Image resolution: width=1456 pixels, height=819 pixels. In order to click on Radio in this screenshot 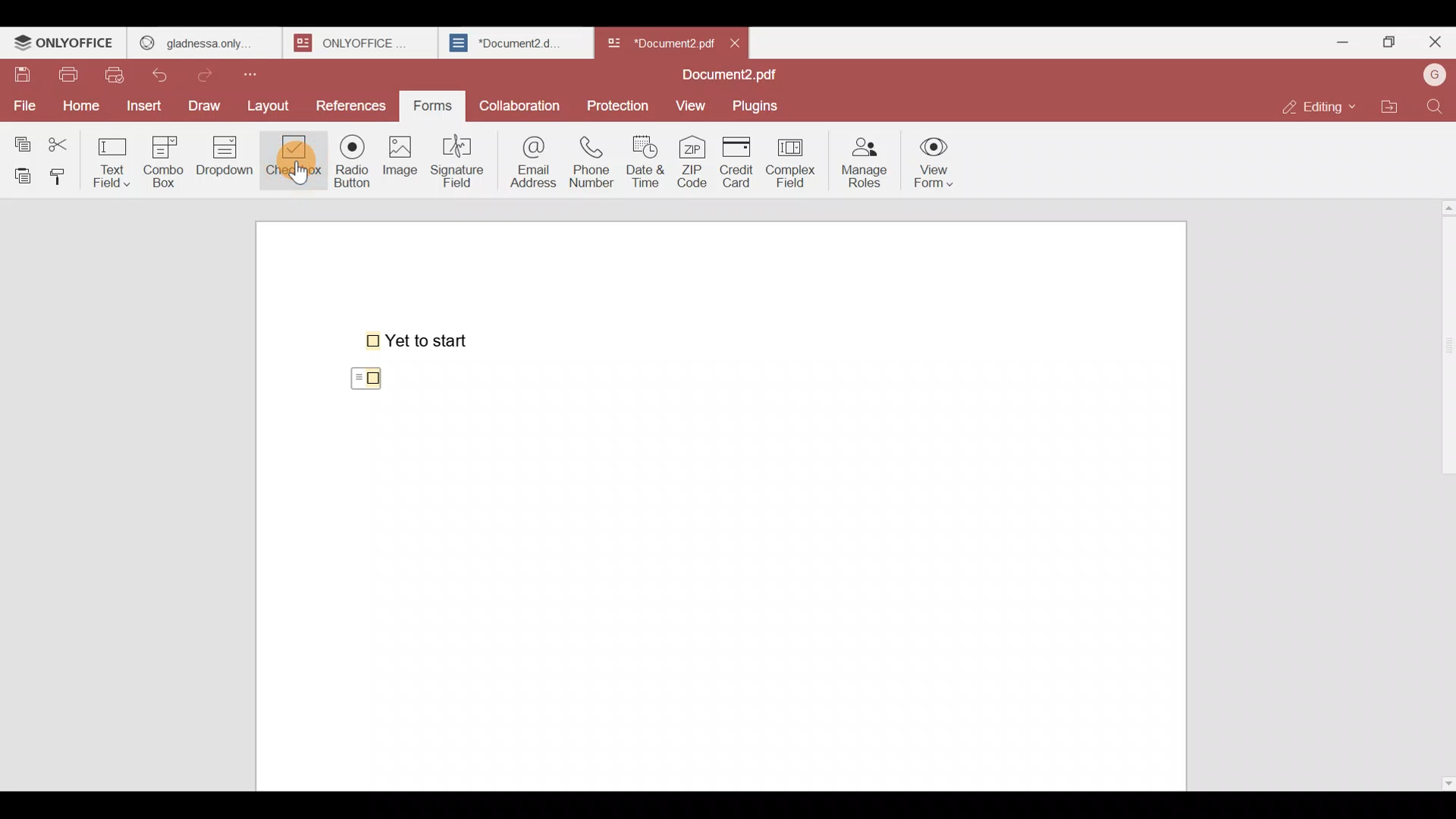, I will do `click(347, 165)`.